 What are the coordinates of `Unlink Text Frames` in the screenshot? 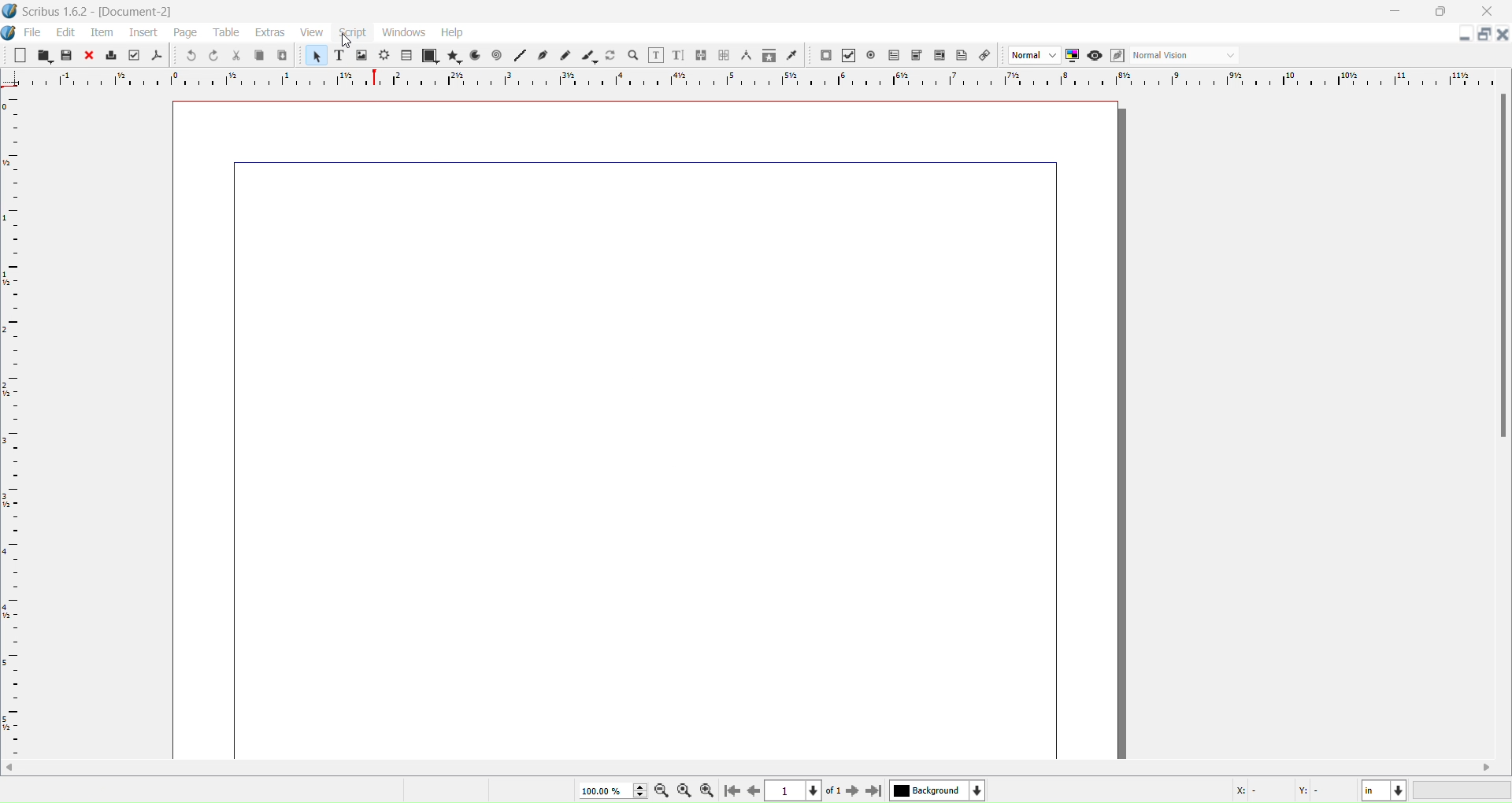 It's located at (723, 56).